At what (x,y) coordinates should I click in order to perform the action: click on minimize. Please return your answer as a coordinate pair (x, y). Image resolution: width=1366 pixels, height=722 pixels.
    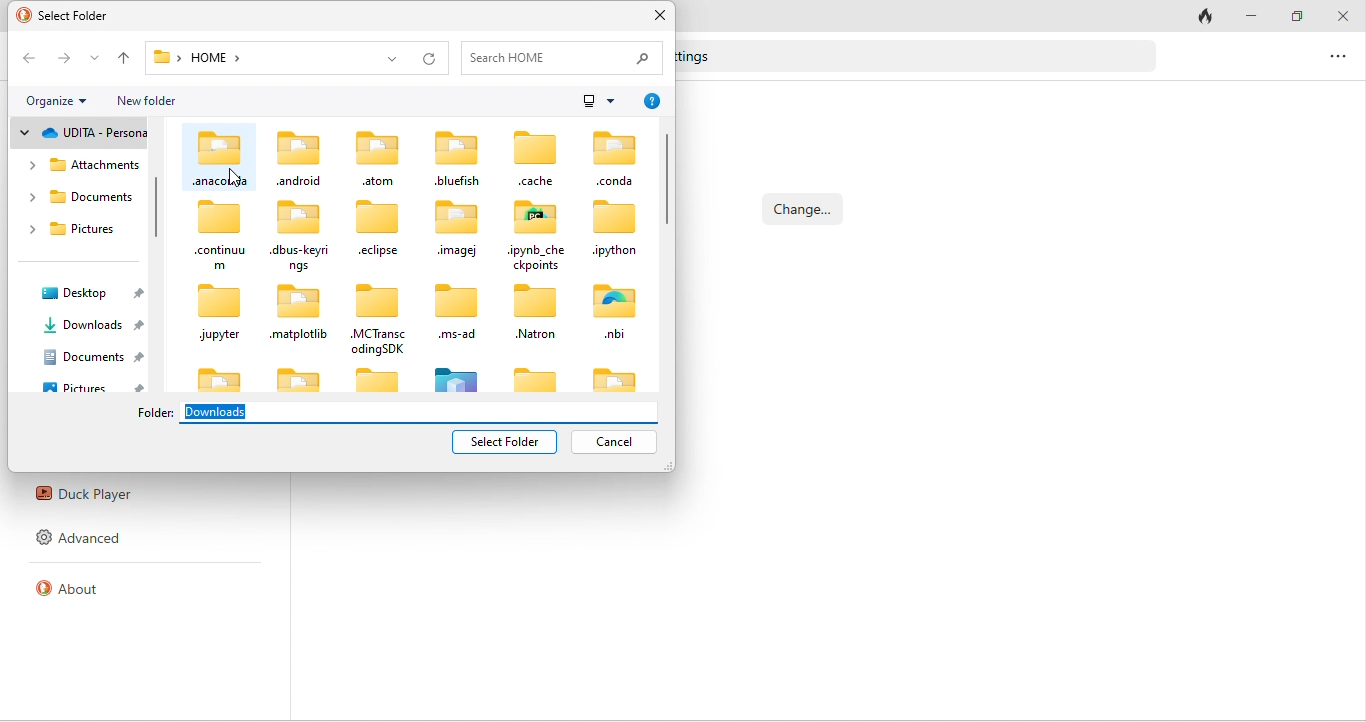
    Looking at the image, I should click on (1252, 15).